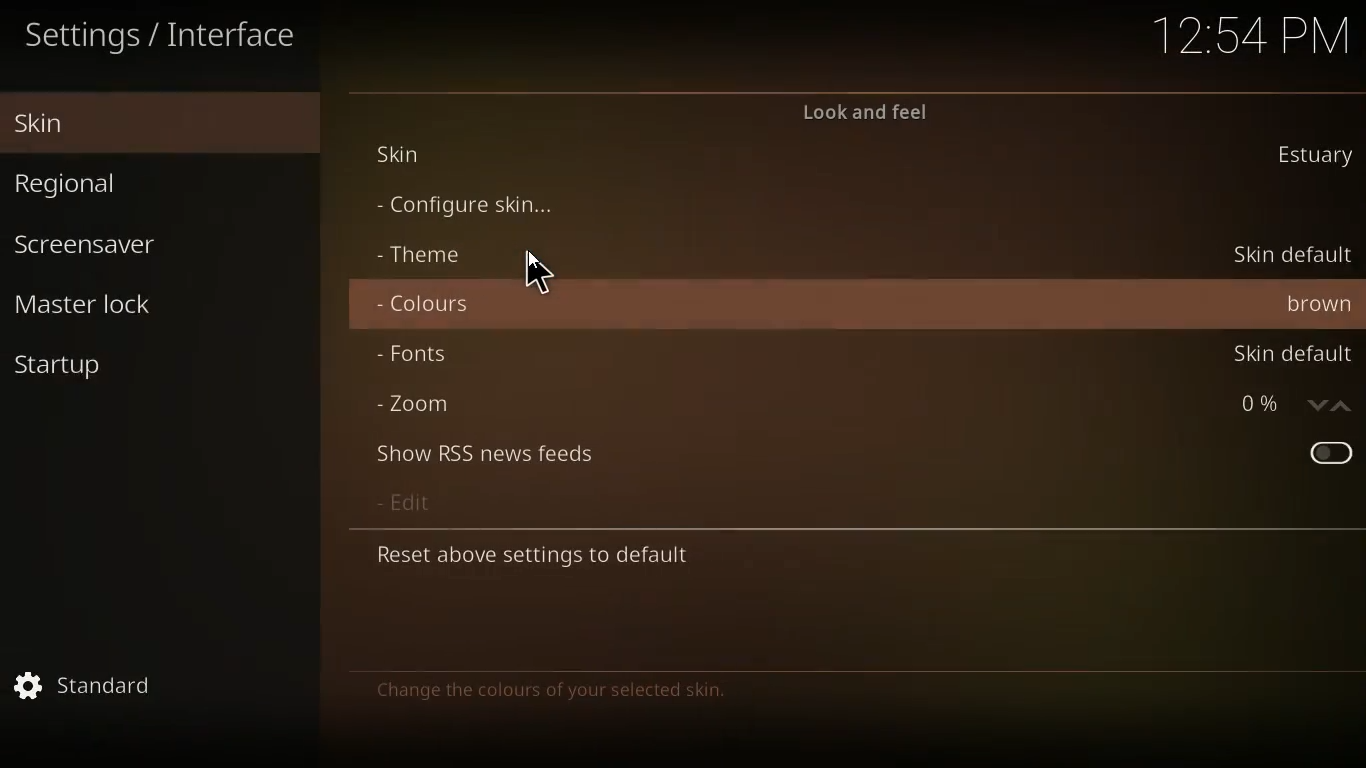  Describe the element at coordinates (479, 455) in the screenshot. I see `Show RSS news feeds` at that location.